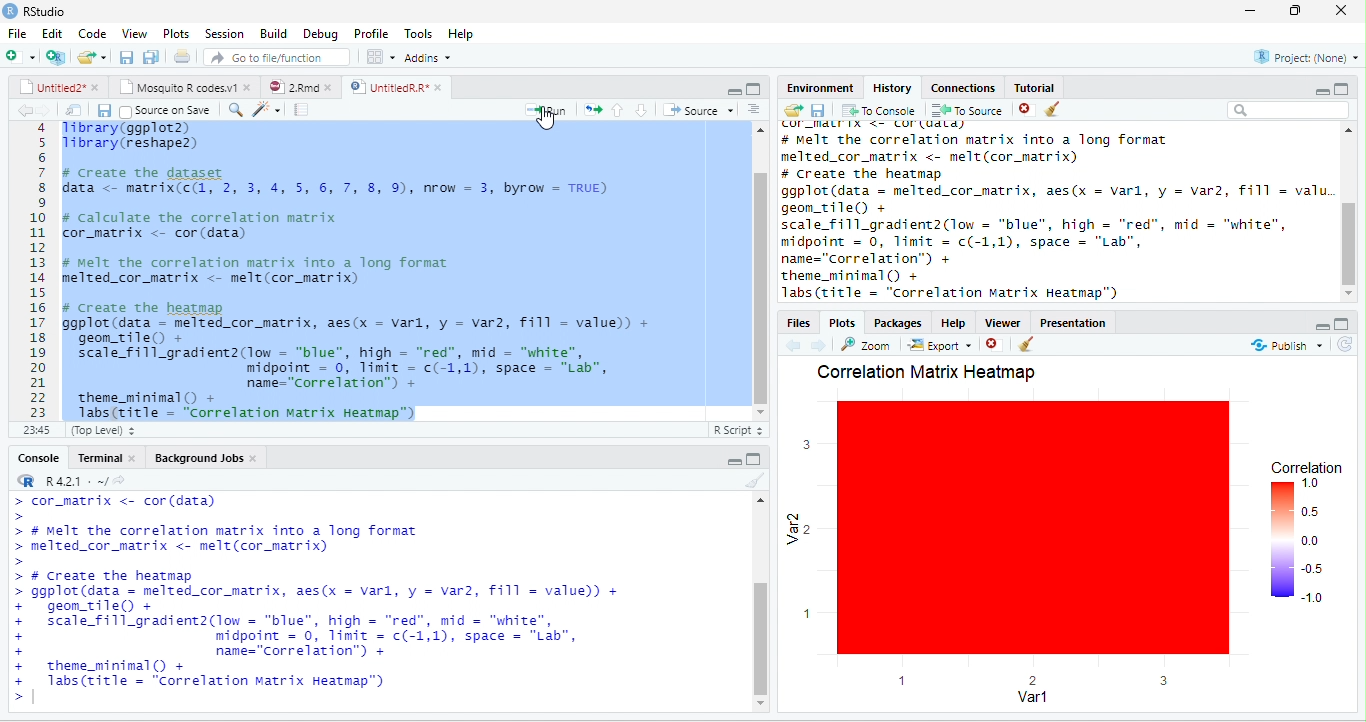  What do you see at coordinates (224, 33) in the screenshot?
I see `session` at bounding box center [224, 33].